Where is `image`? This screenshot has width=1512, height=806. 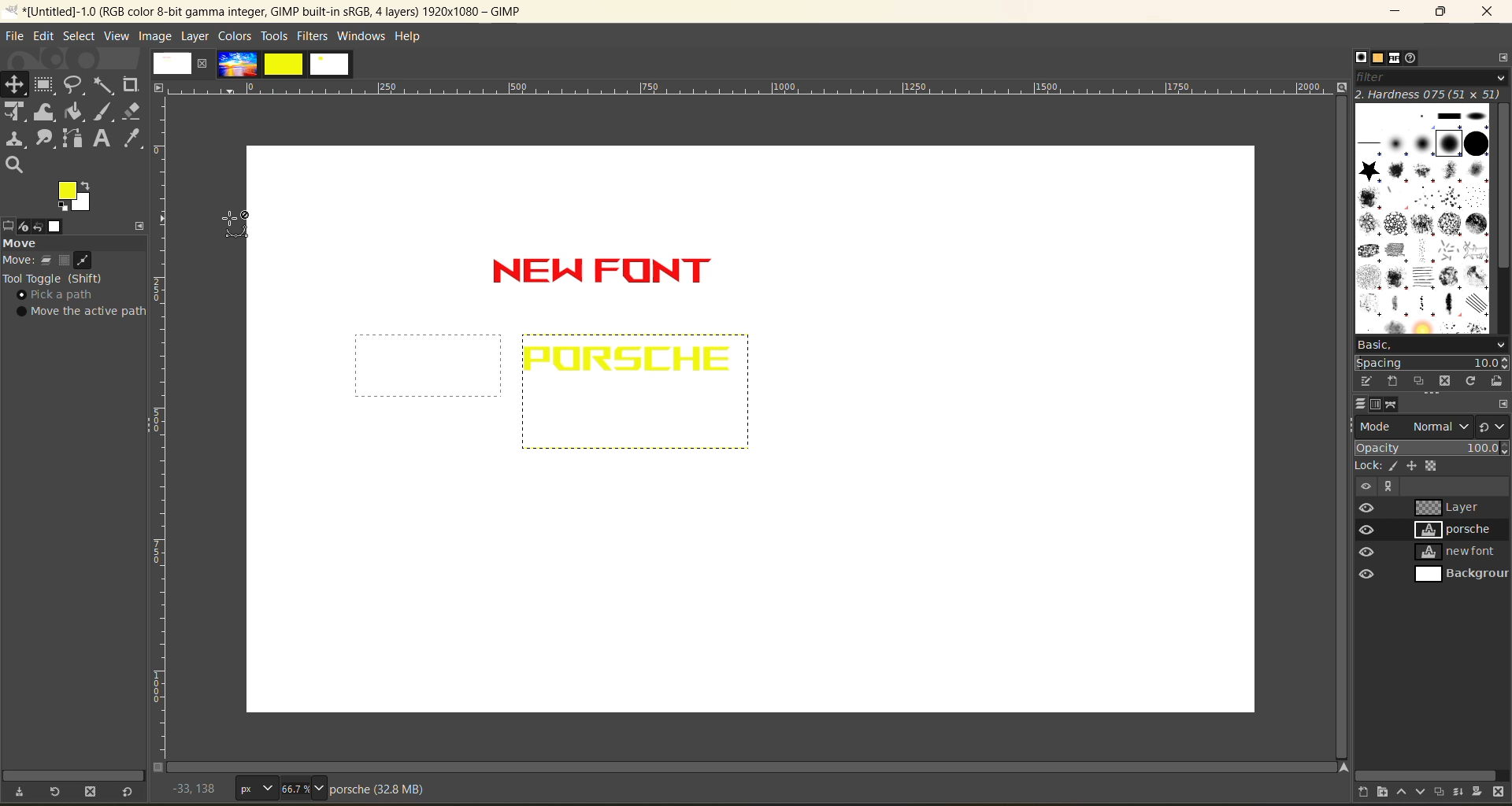 image is located at coordinates (171, 63).